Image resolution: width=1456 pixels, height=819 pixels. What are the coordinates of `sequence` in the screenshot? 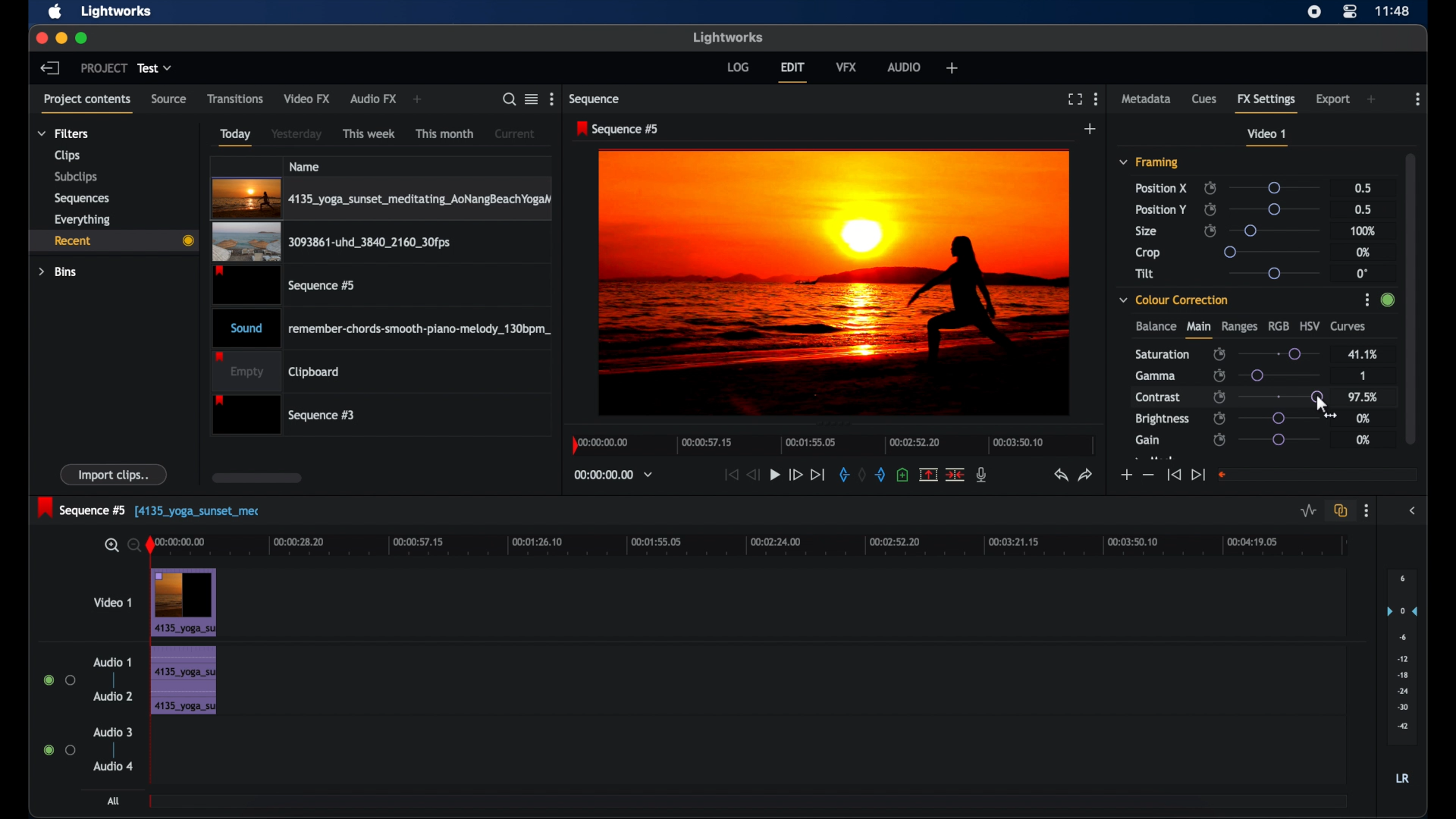 It's located at (596, 99).